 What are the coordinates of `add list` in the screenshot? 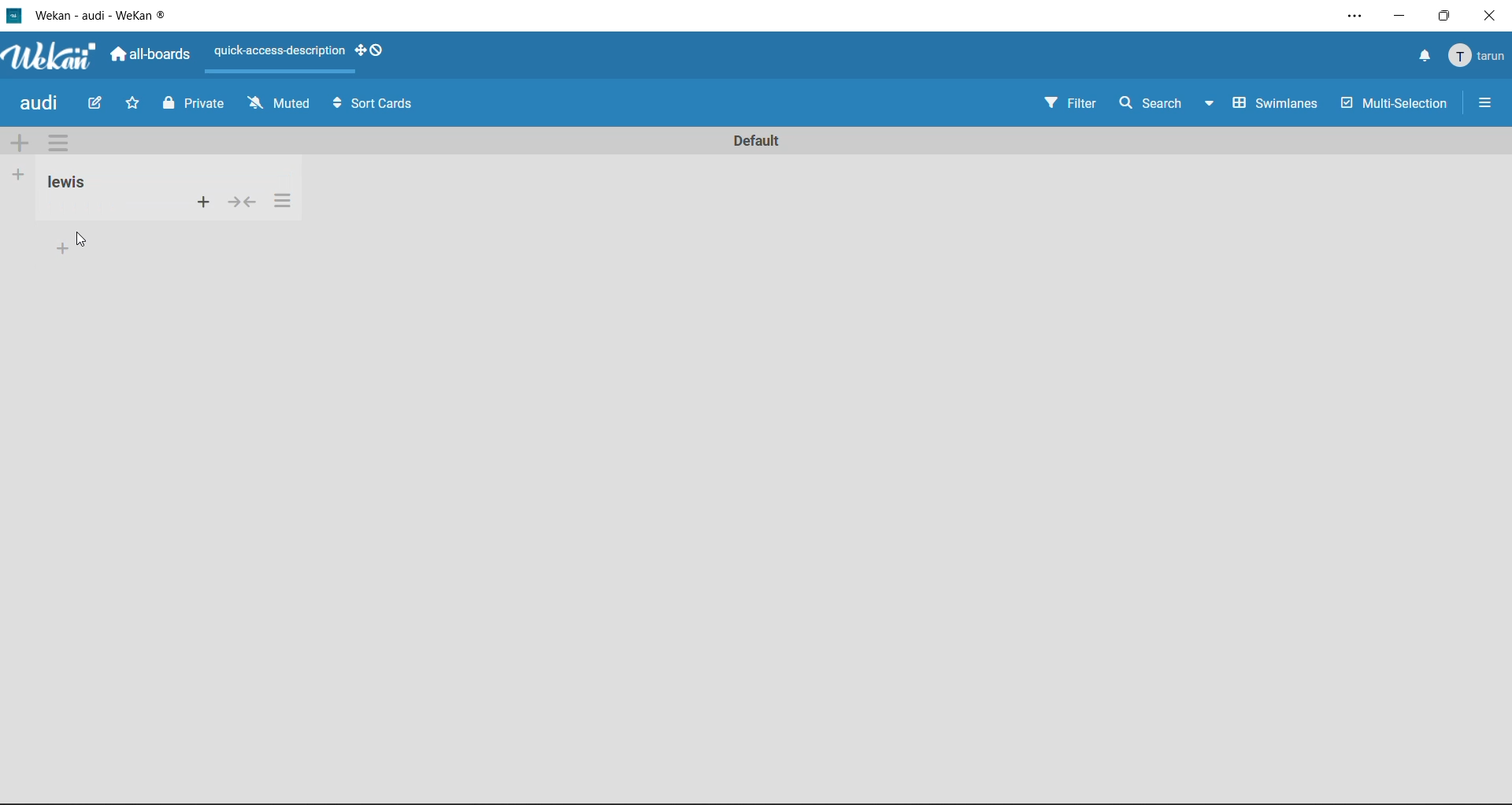 It's located at (19, 174).